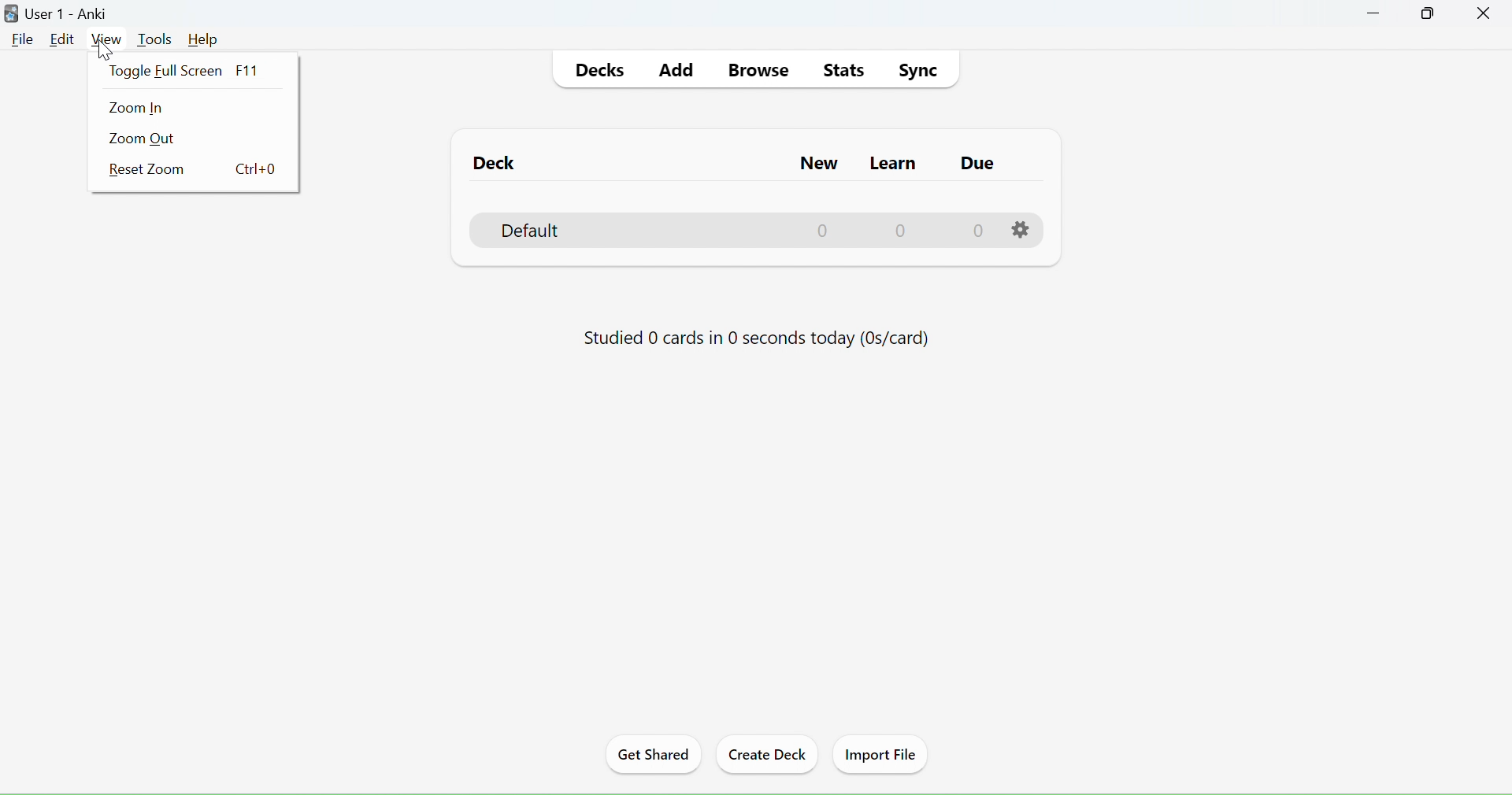  I want to click on Cursor, so click(106, 50).